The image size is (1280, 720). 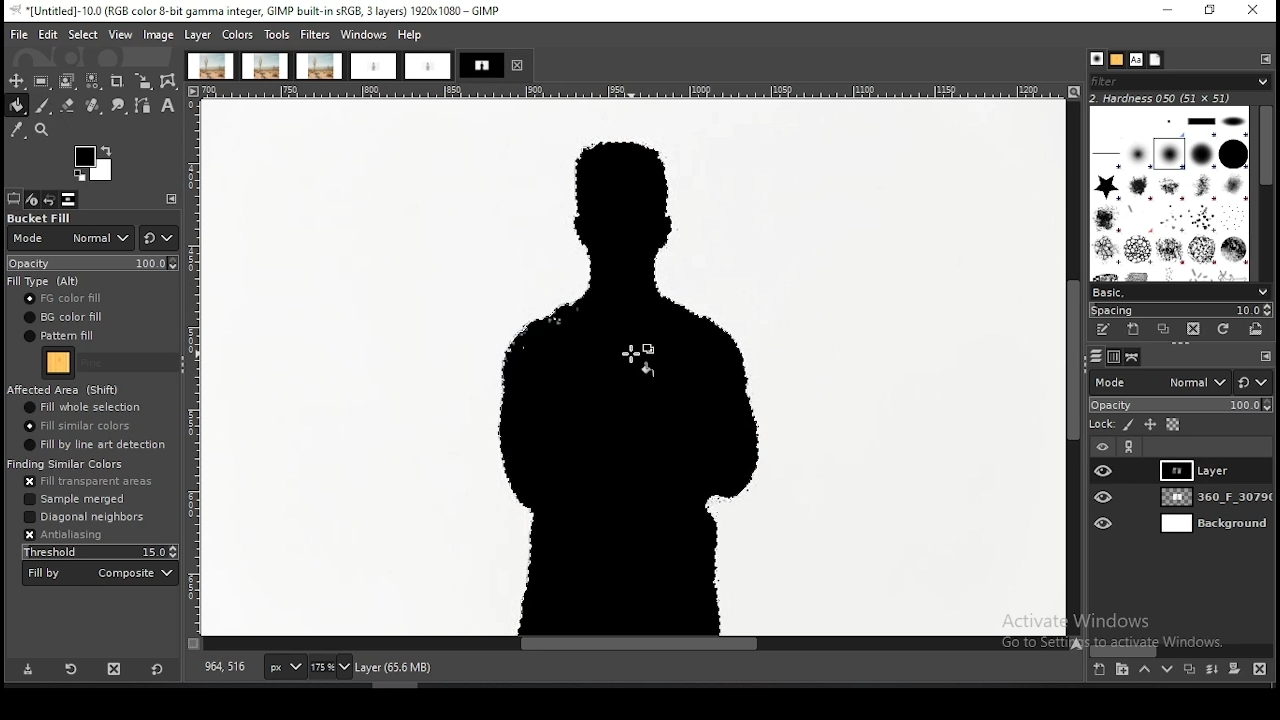 I want to click on lock, so click(x=1100, y=425).